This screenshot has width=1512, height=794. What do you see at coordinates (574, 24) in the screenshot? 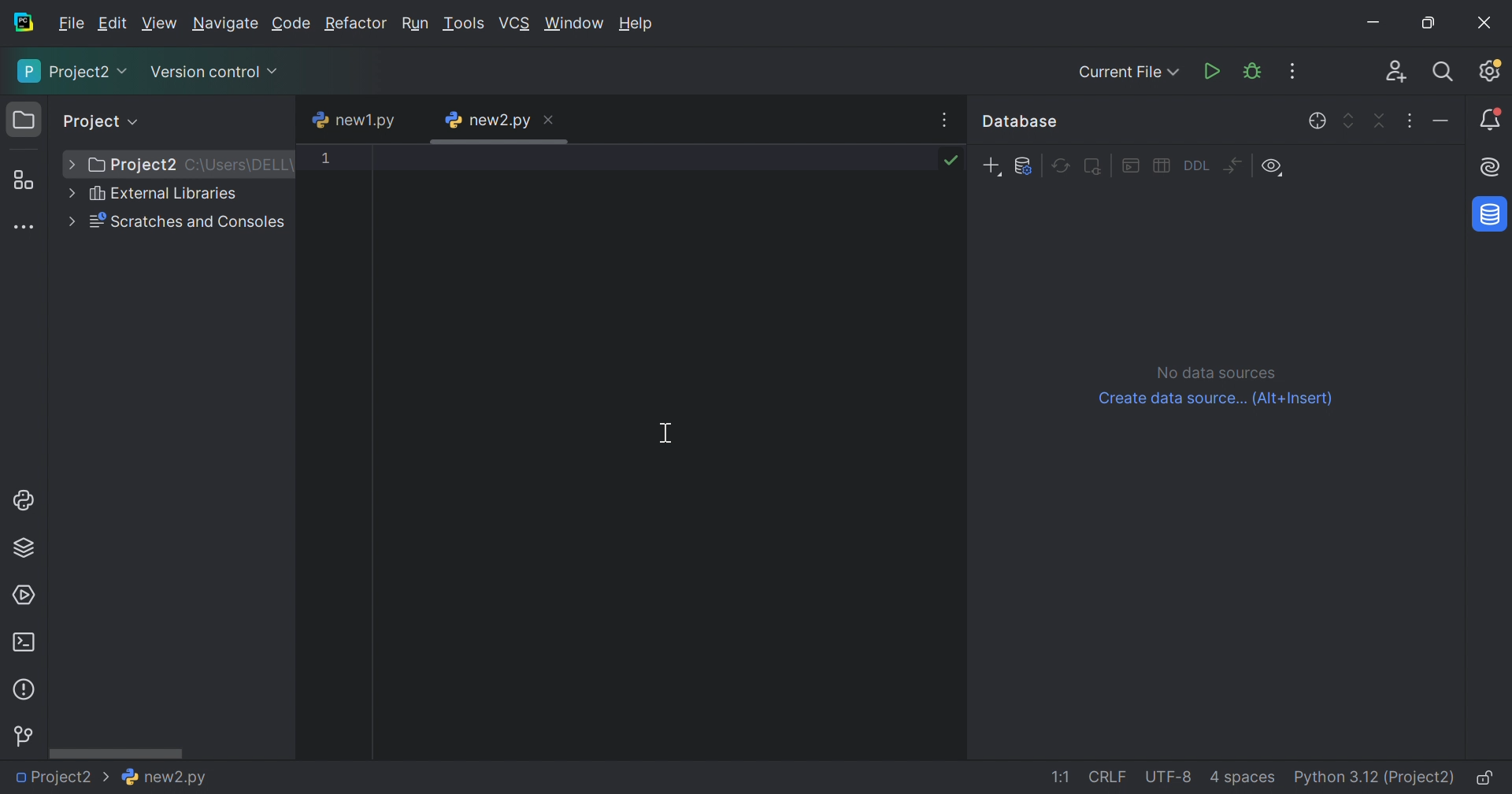
I see `Windows` at bounding box center [574, 24].